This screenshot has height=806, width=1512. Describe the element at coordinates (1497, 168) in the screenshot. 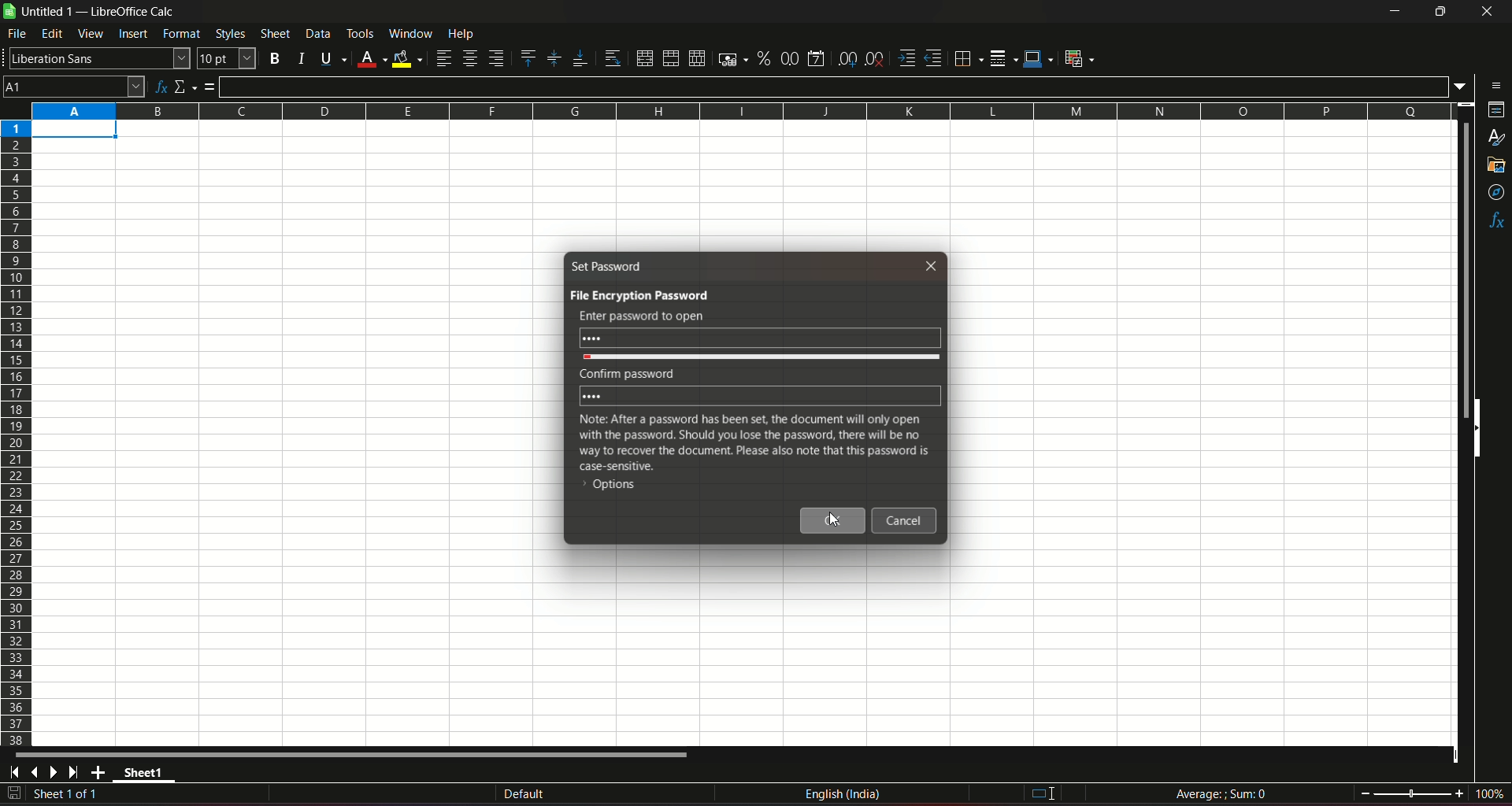

I see `gallery` at that location.